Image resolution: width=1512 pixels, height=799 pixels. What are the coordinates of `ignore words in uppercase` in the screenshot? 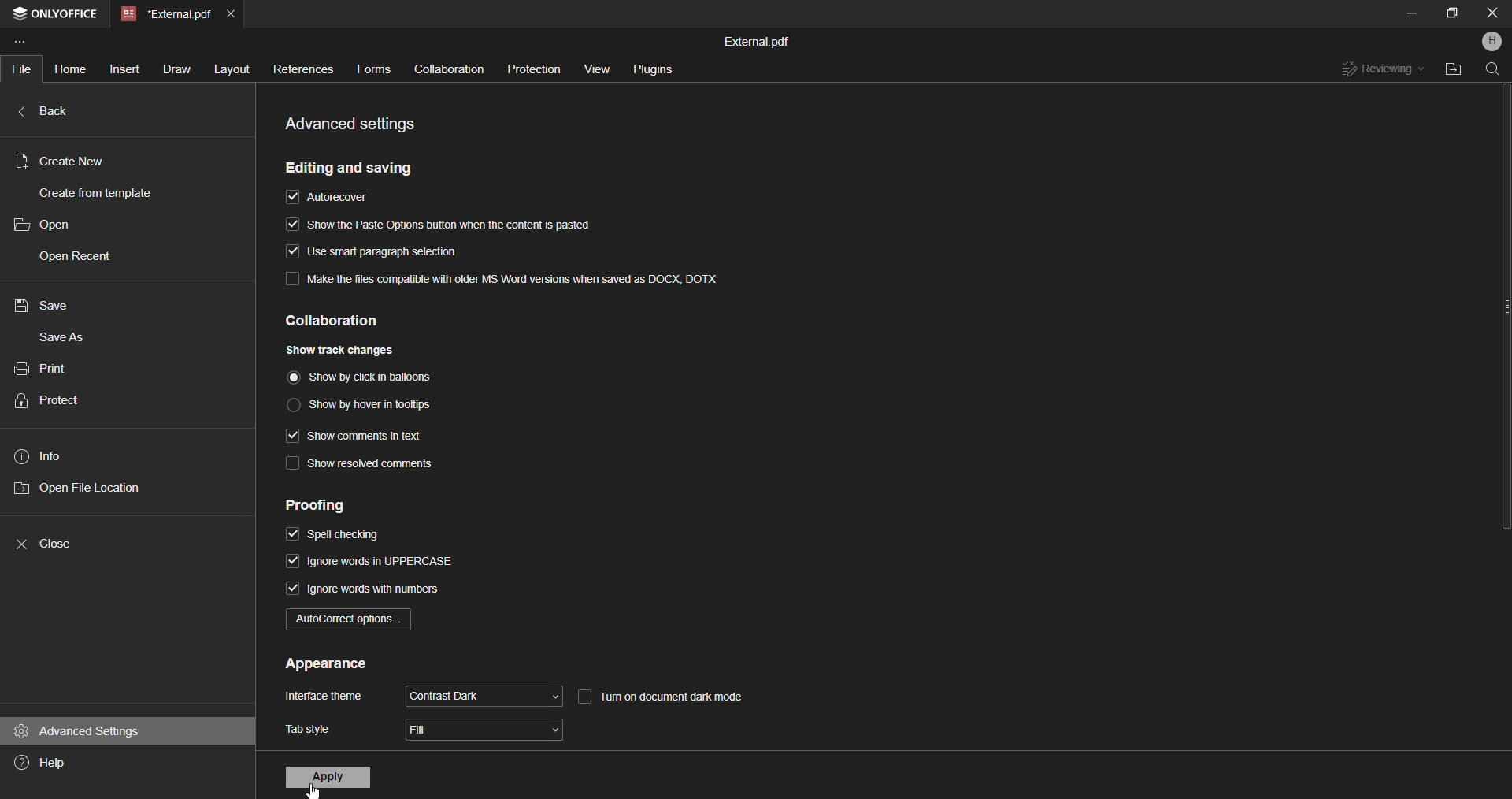 It's located at (372, 563).